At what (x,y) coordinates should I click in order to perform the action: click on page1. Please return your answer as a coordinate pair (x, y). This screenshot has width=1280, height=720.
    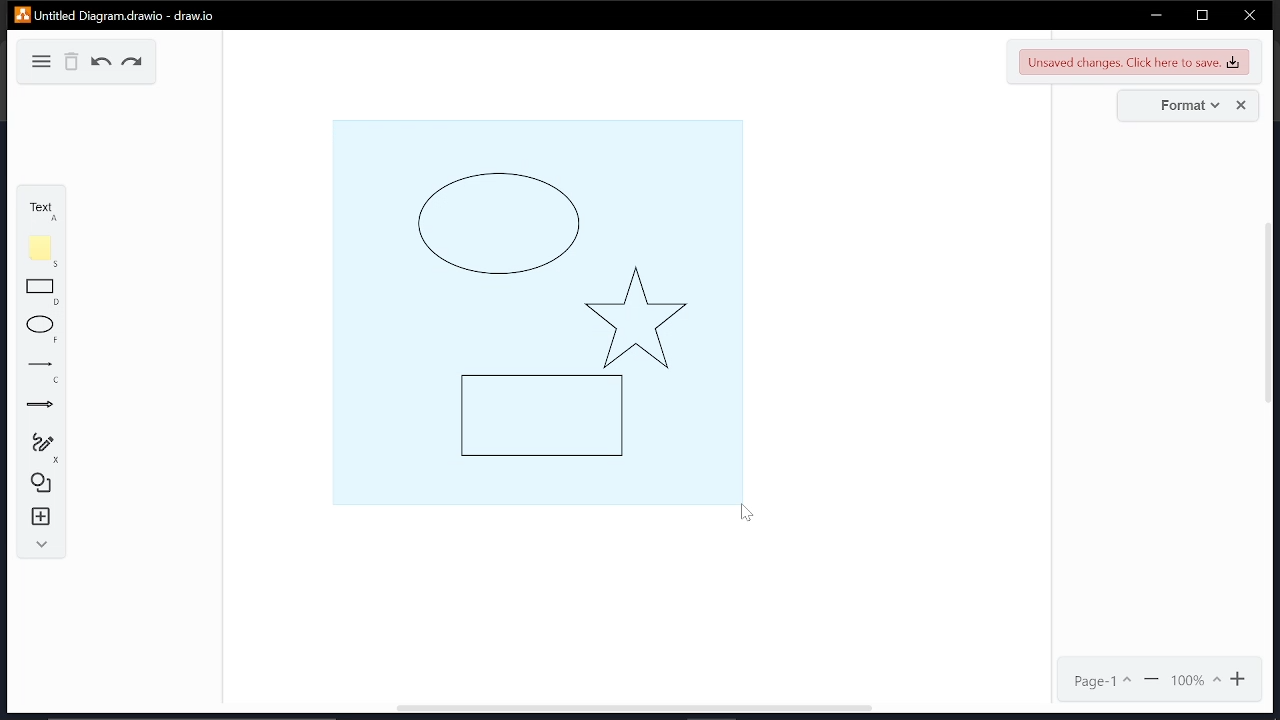
    Looking at the image, I should click on (1103, 681).